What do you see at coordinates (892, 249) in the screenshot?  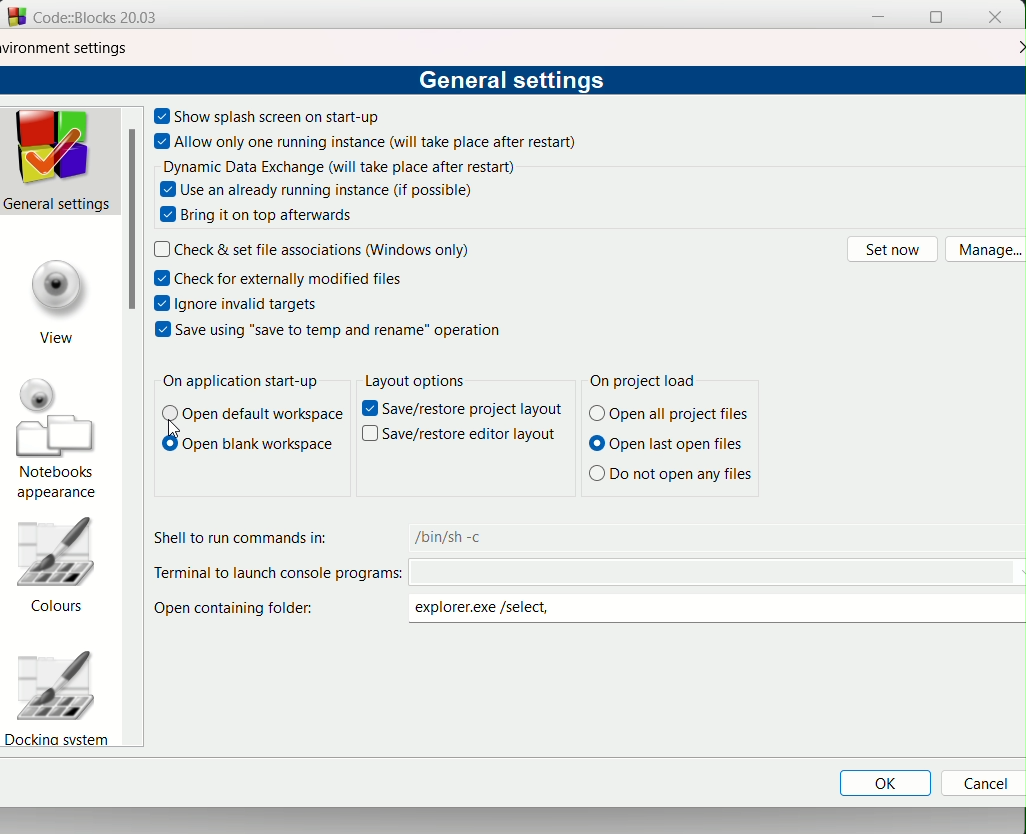 I see `set now` at bounding box center [892, 249].